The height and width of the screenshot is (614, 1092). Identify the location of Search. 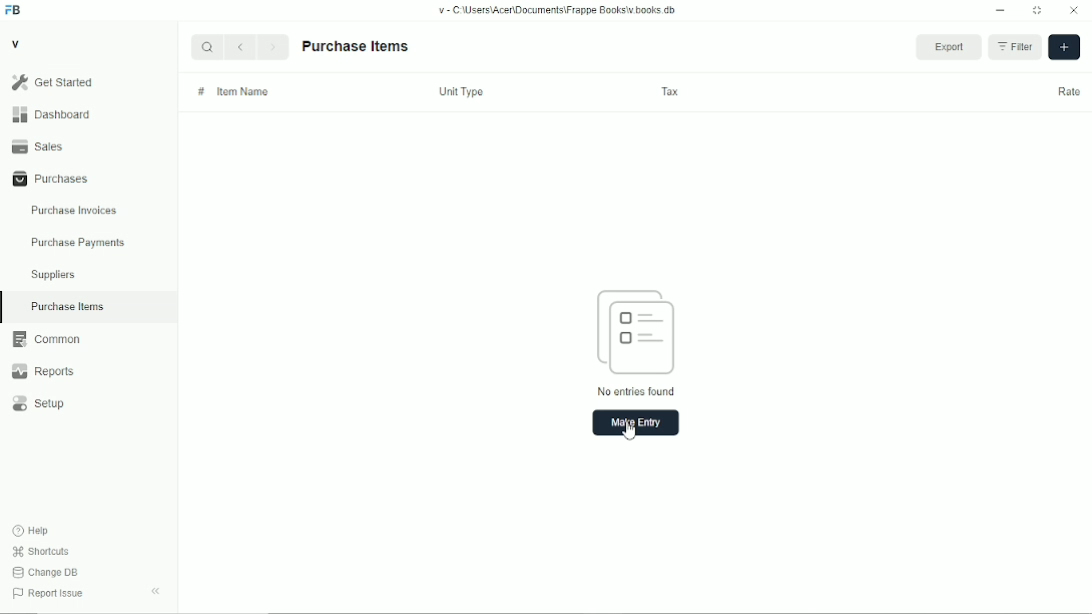
(207, 47).